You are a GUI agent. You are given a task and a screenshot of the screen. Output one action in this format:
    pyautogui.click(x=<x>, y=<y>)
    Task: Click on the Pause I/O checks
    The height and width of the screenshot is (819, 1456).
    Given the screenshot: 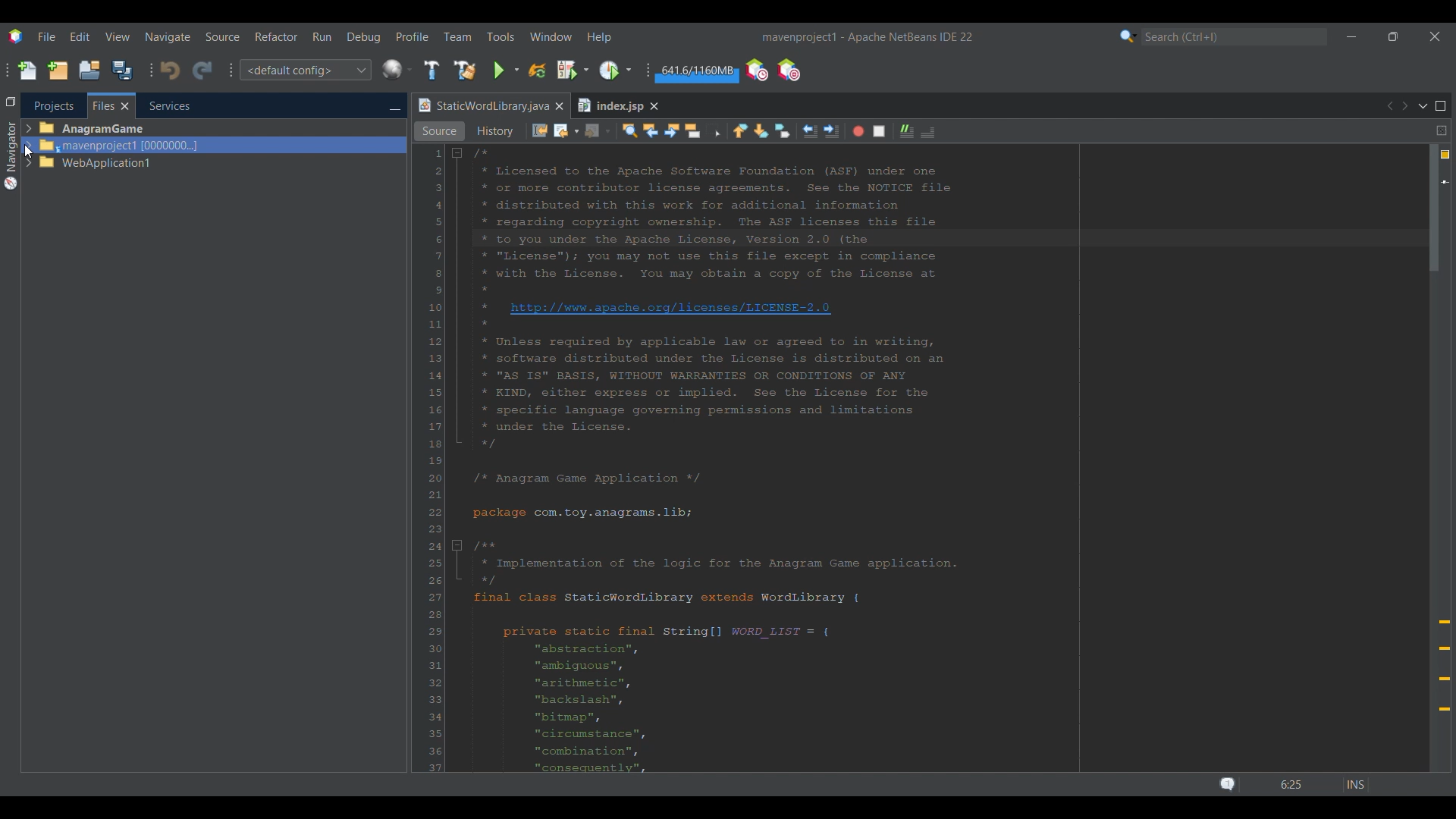 What is the action you would take?
    pyautogui.click(x=788, y=70)
    